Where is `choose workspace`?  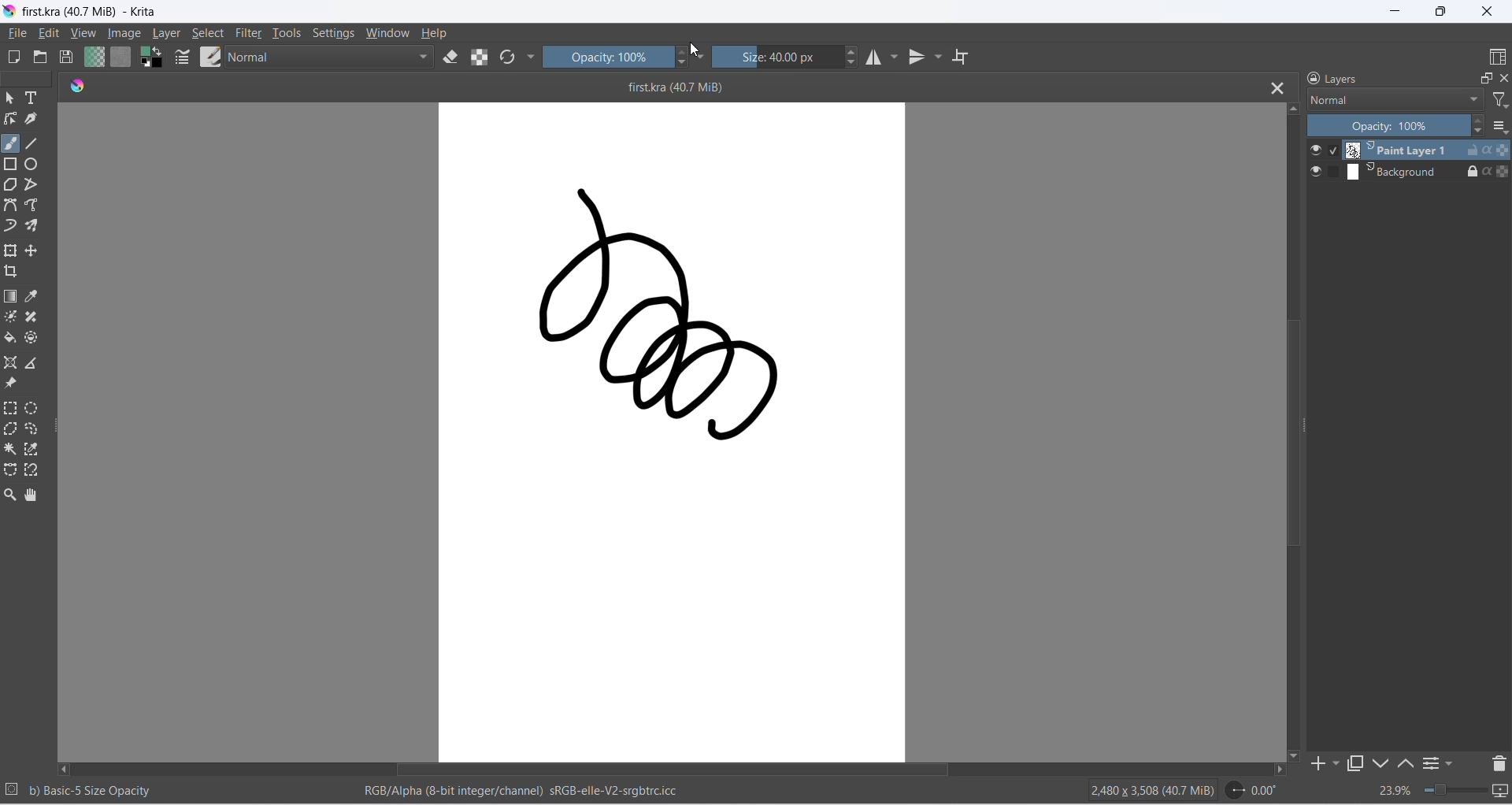
choose workspace is located at coordinates (1498, 57).